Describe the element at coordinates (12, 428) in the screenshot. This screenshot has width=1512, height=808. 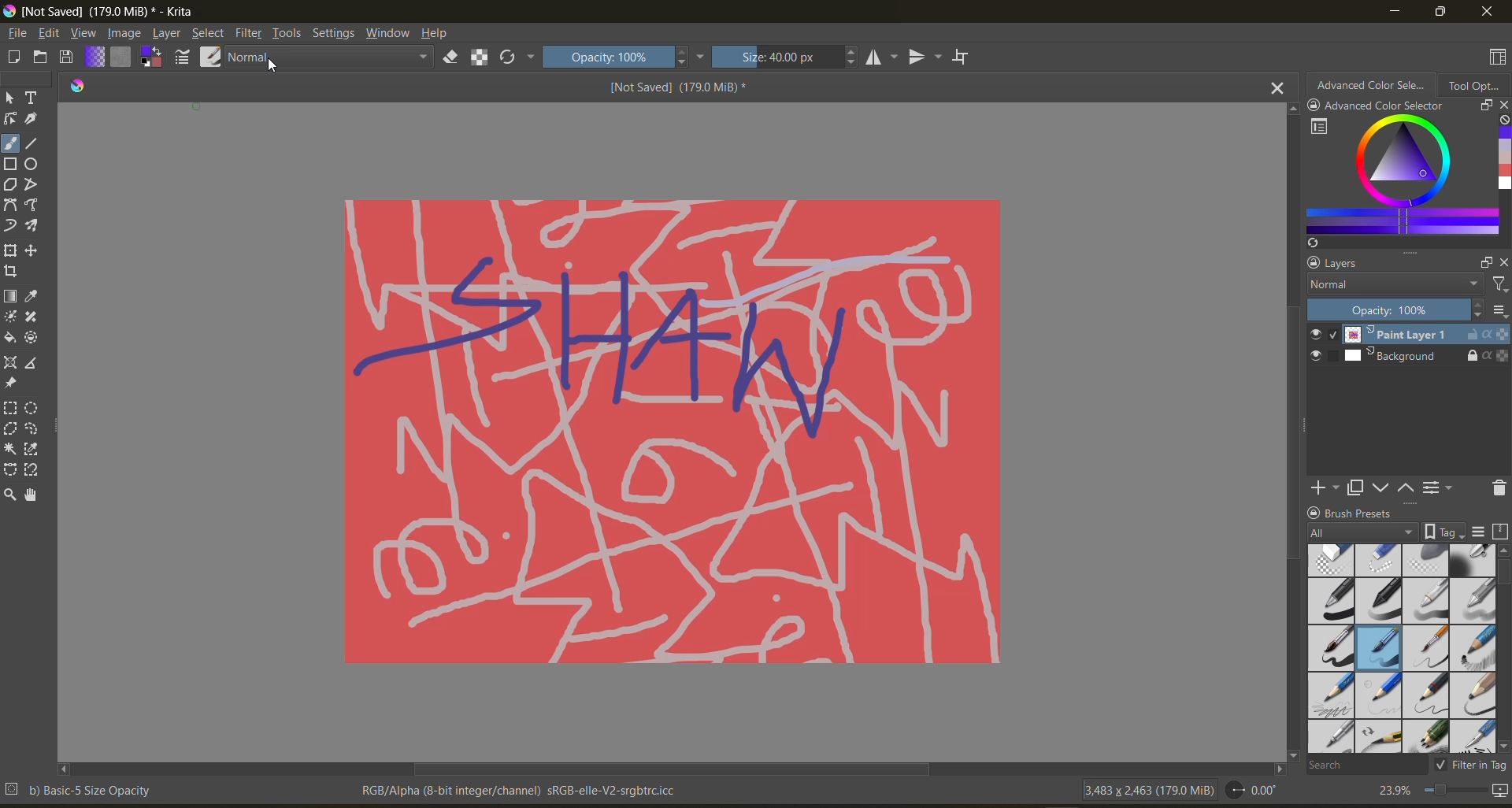
I see `Polygonal selection tool` at that location.